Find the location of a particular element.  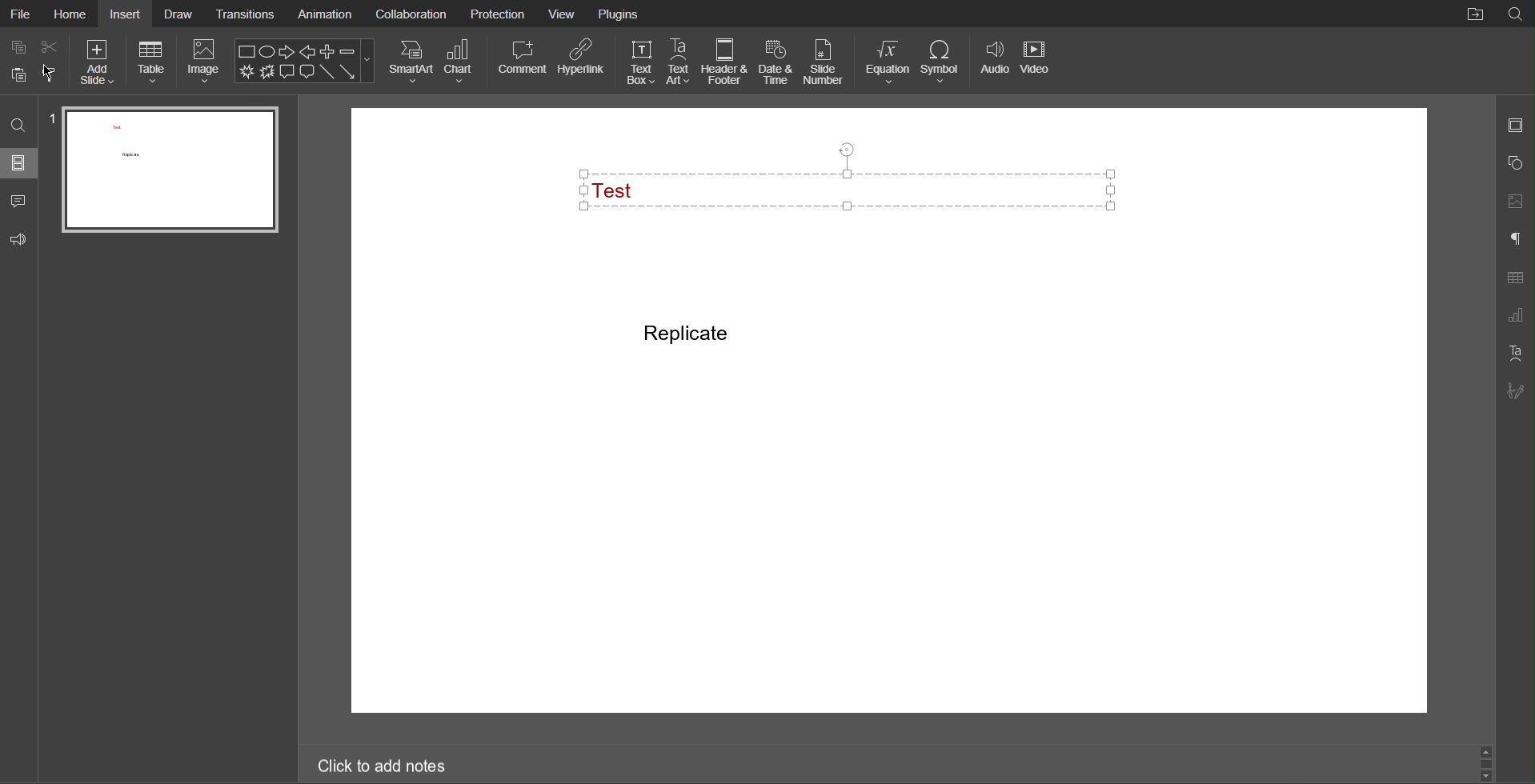

Slide Number is located at coordinates (822, 62).